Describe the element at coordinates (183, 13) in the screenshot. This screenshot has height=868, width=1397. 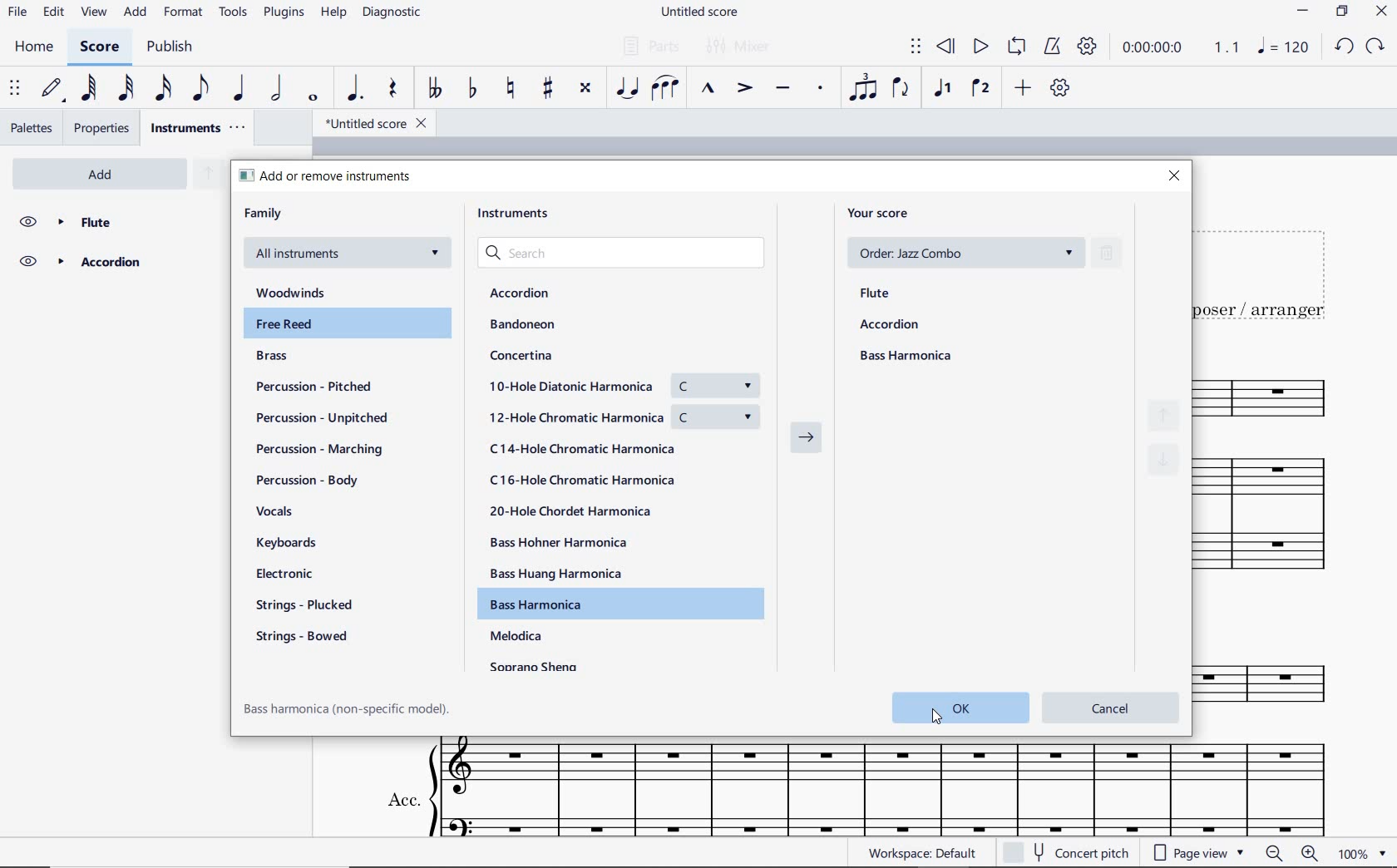
I see `FORMAT` at that location.